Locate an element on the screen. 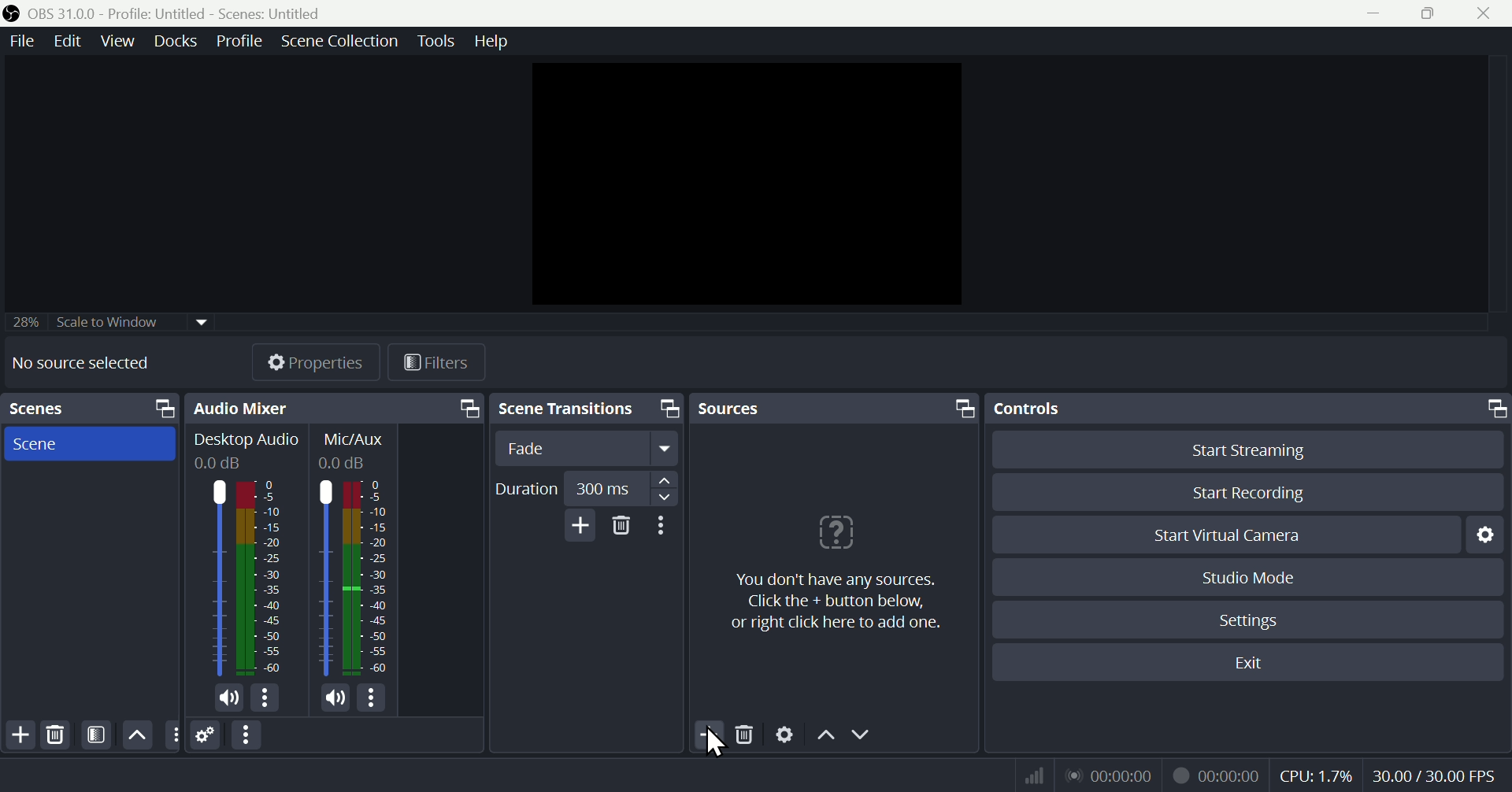 This screenshot has width=1512, height=792. Delete is located at coordinates (55, 735).